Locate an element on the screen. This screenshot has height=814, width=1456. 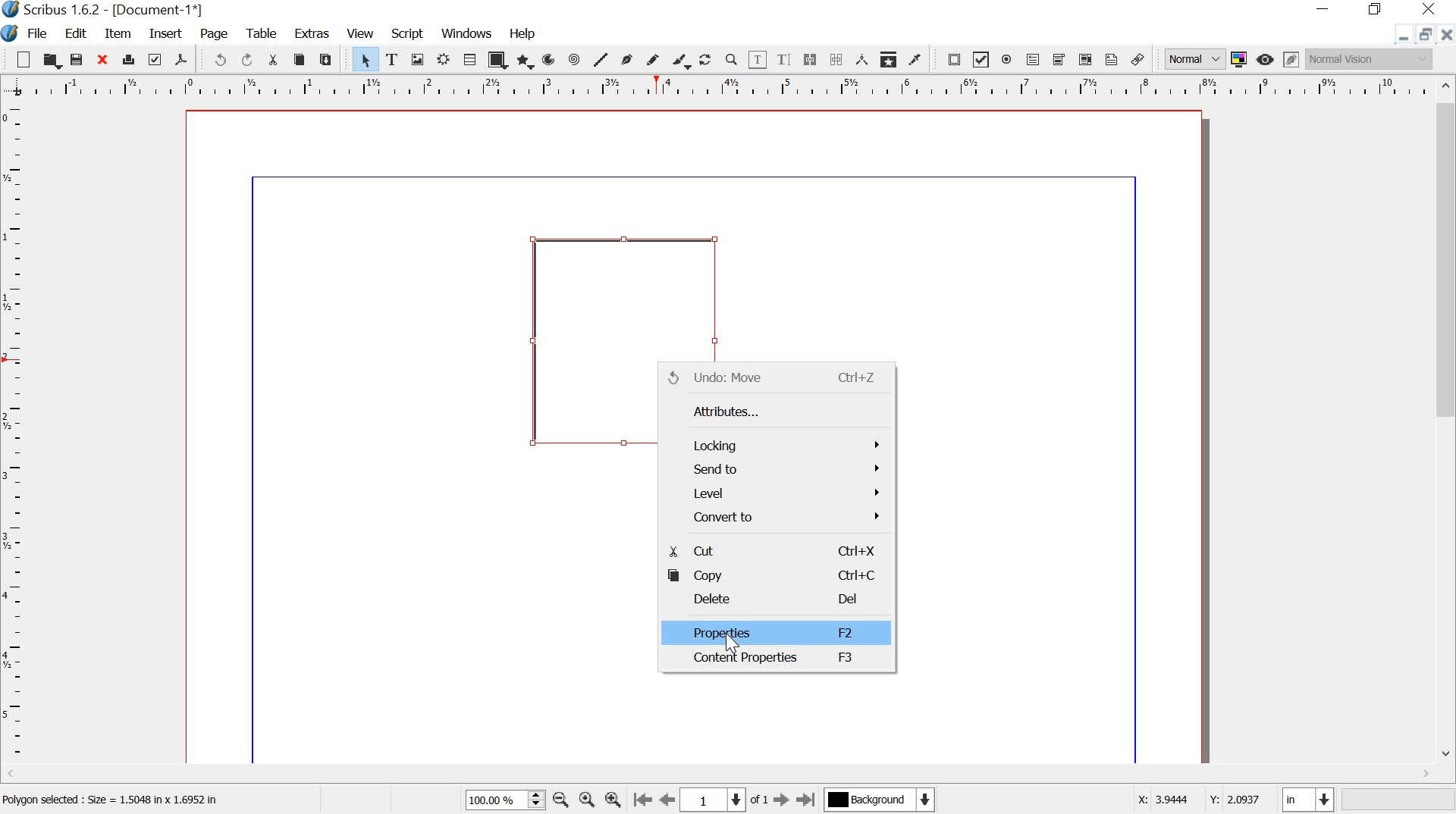
pdf radio button is located at coordinates (1009, 61).